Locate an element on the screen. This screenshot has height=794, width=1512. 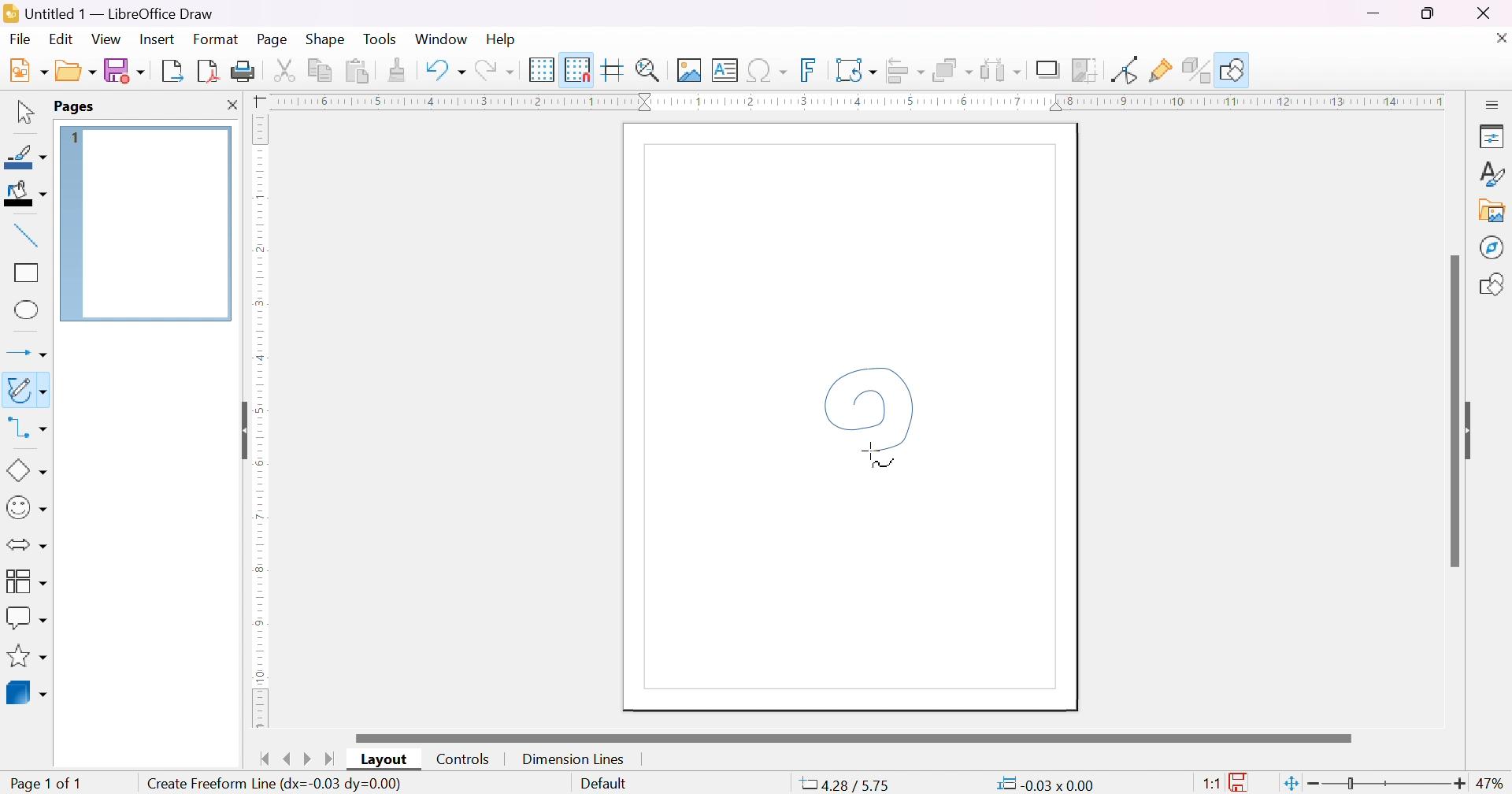
insert special characters is located at coordinates (768, 70).